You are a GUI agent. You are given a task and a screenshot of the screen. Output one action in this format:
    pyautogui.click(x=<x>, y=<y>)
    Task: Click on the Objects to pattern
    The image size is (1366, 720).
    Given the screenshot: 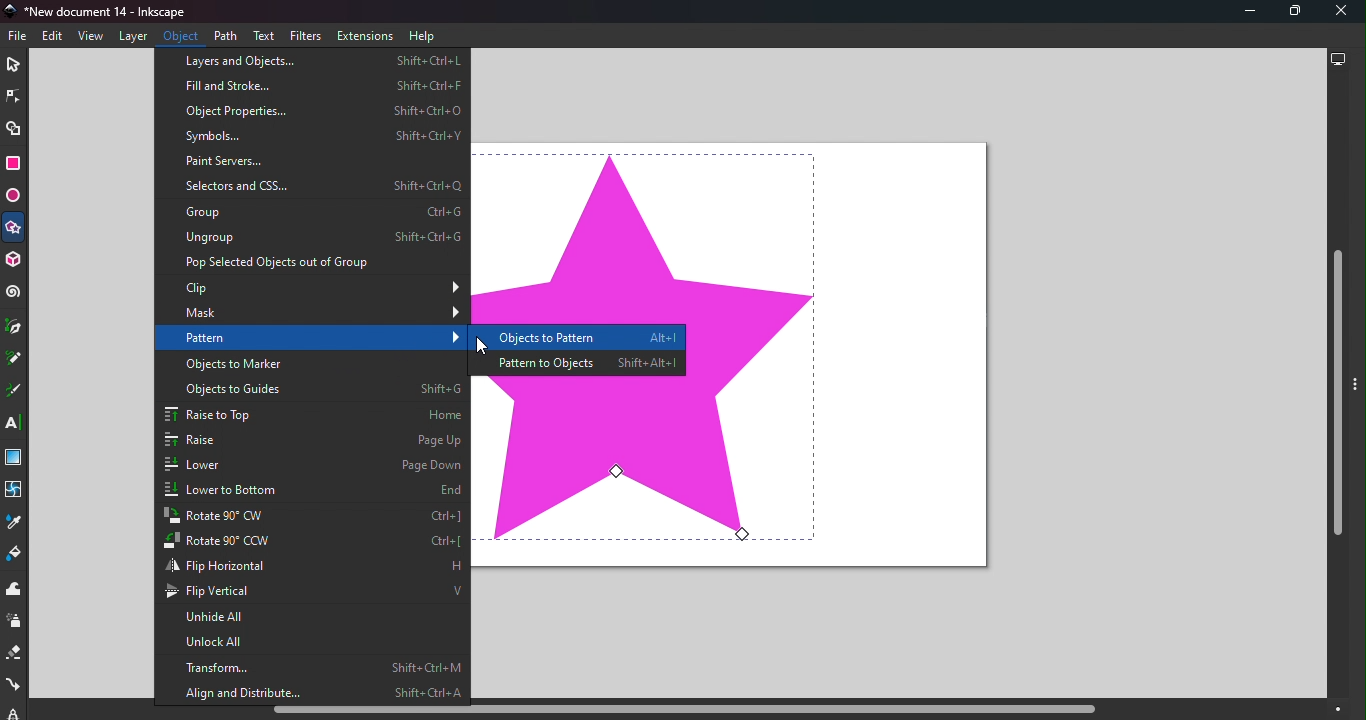 What is the action you would take?
    pyautogui.click(x=581, y=339)
    